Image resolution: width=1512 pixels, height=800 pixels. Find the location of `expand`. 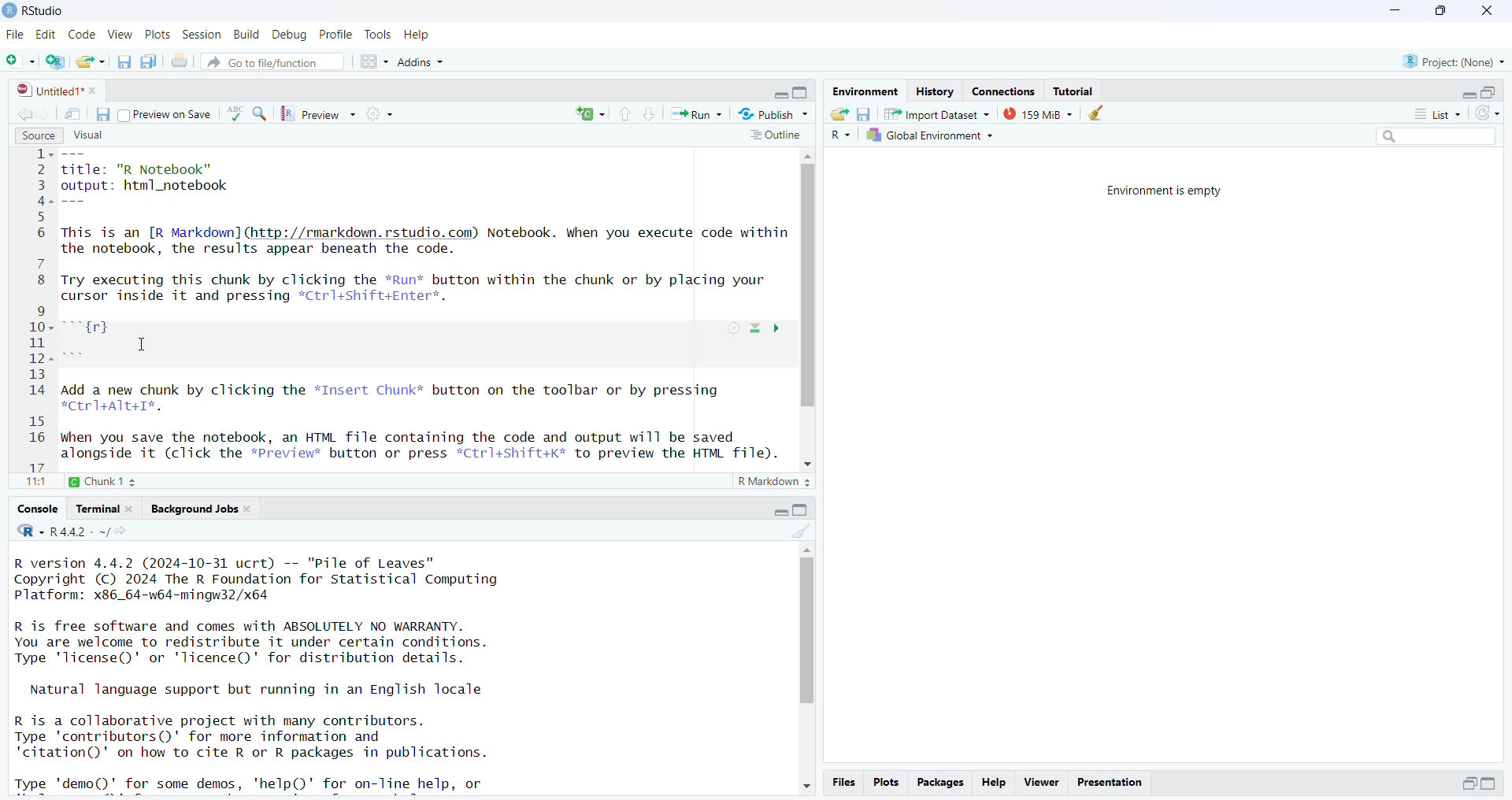

expand is located at coordinates (778, 95).